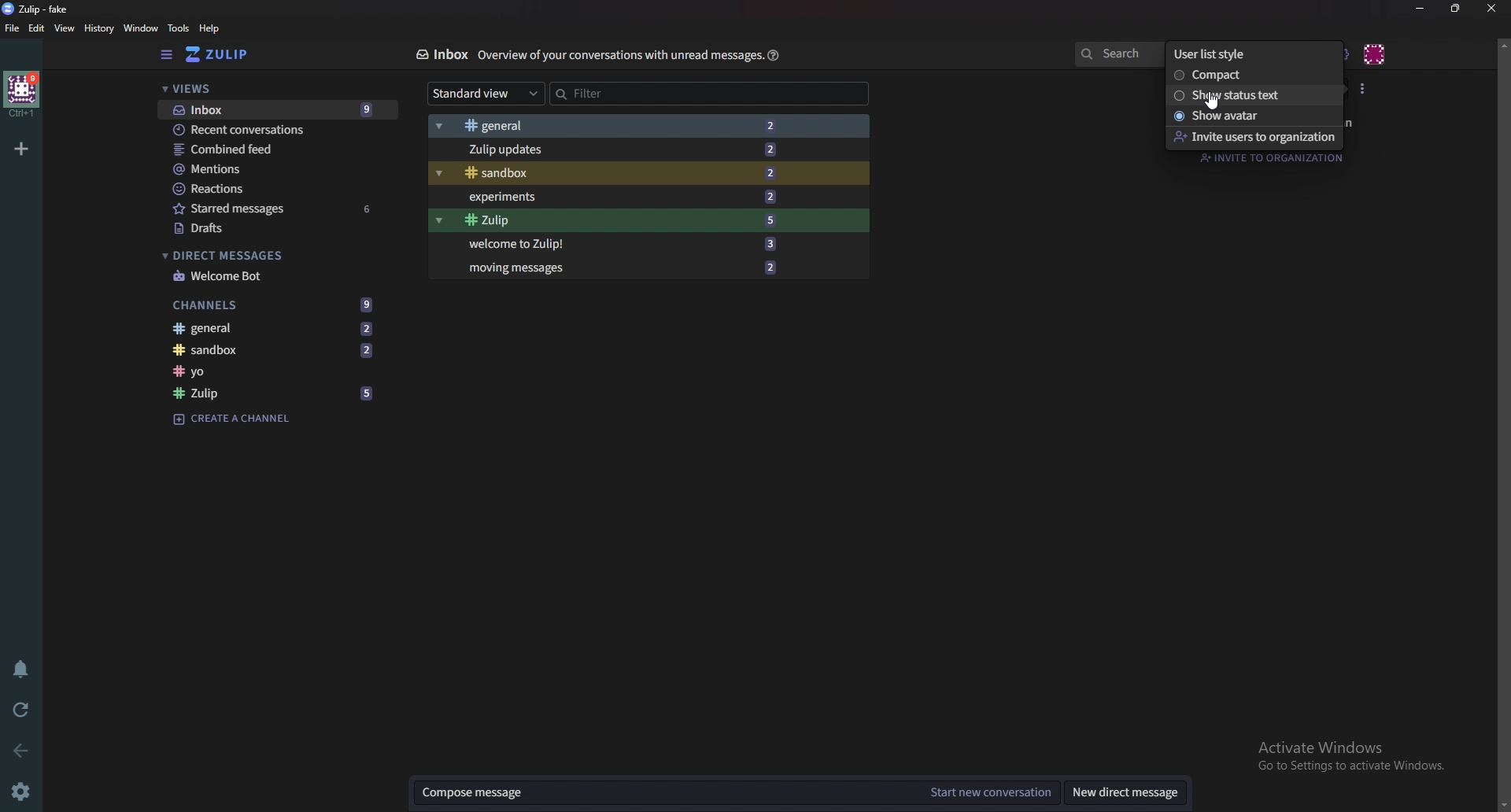  What do you see at coordinates (275, 109) in the screenshot?
I see `Inbox` at bounding box center [275, 109].